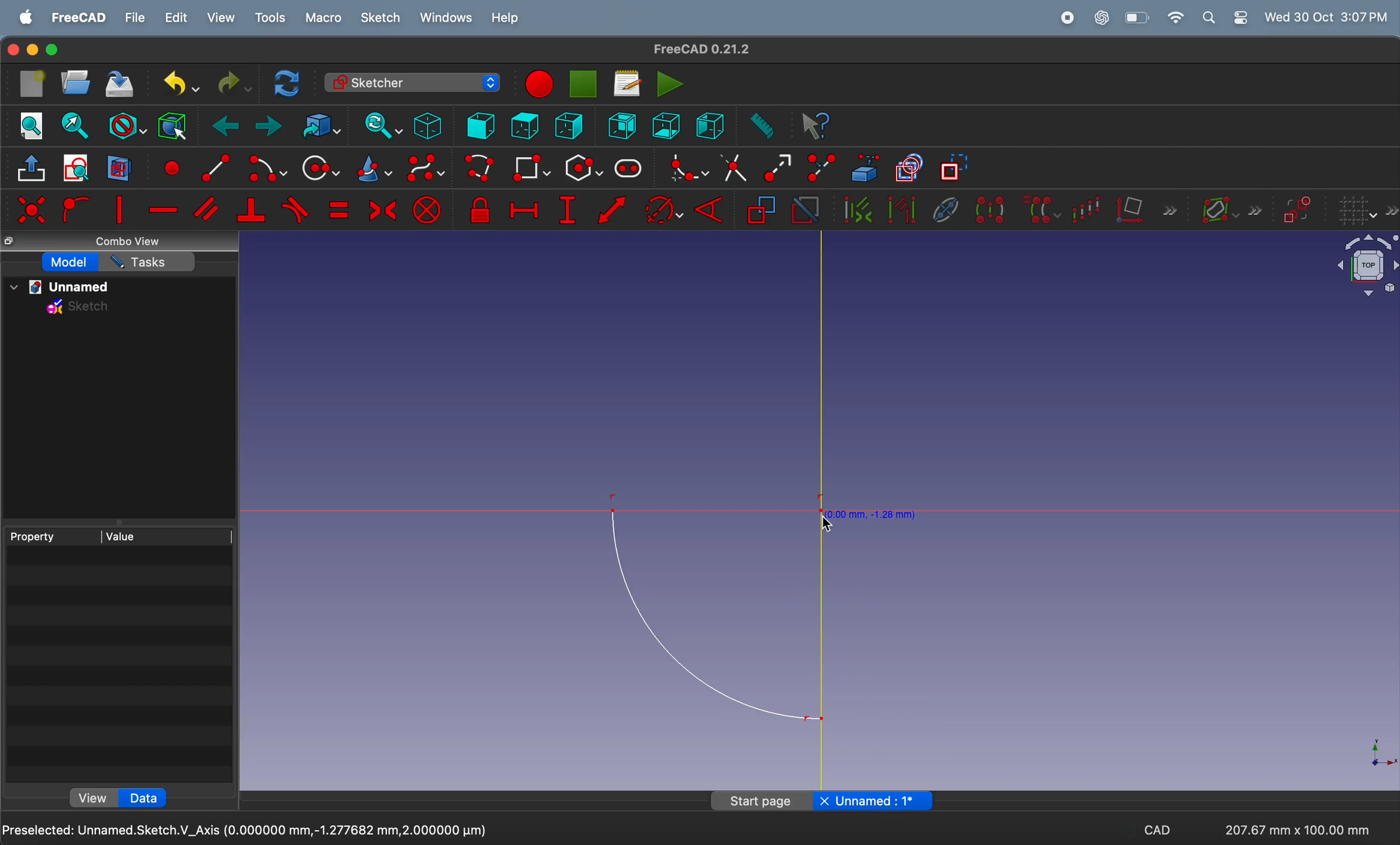 Image resolution: width=1400 pixels, height=845 pixels. What do you see at coordinates (120, 86) in the screenshot?
I see `save` at bounding box center [120, 86].